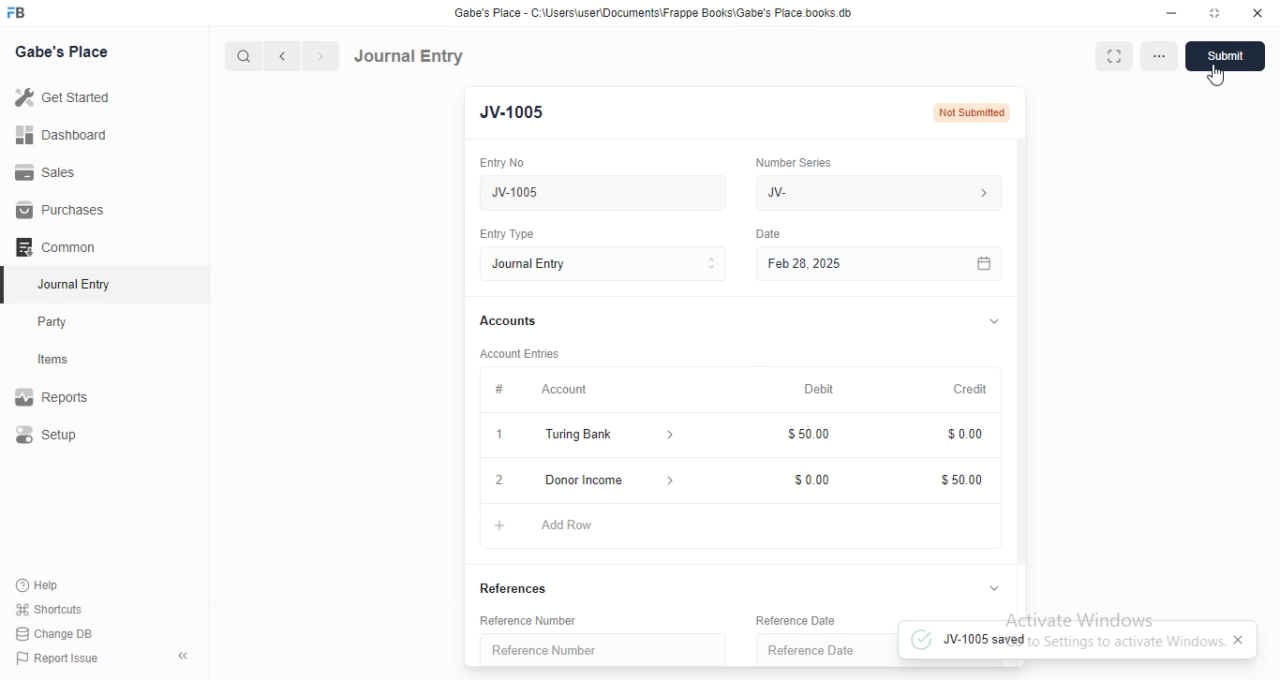 This screenshot has height=680, width=1280. What do you see at coordinates (520, 586) in the screenshot?
I see `References` at bounding box center [520, 586].